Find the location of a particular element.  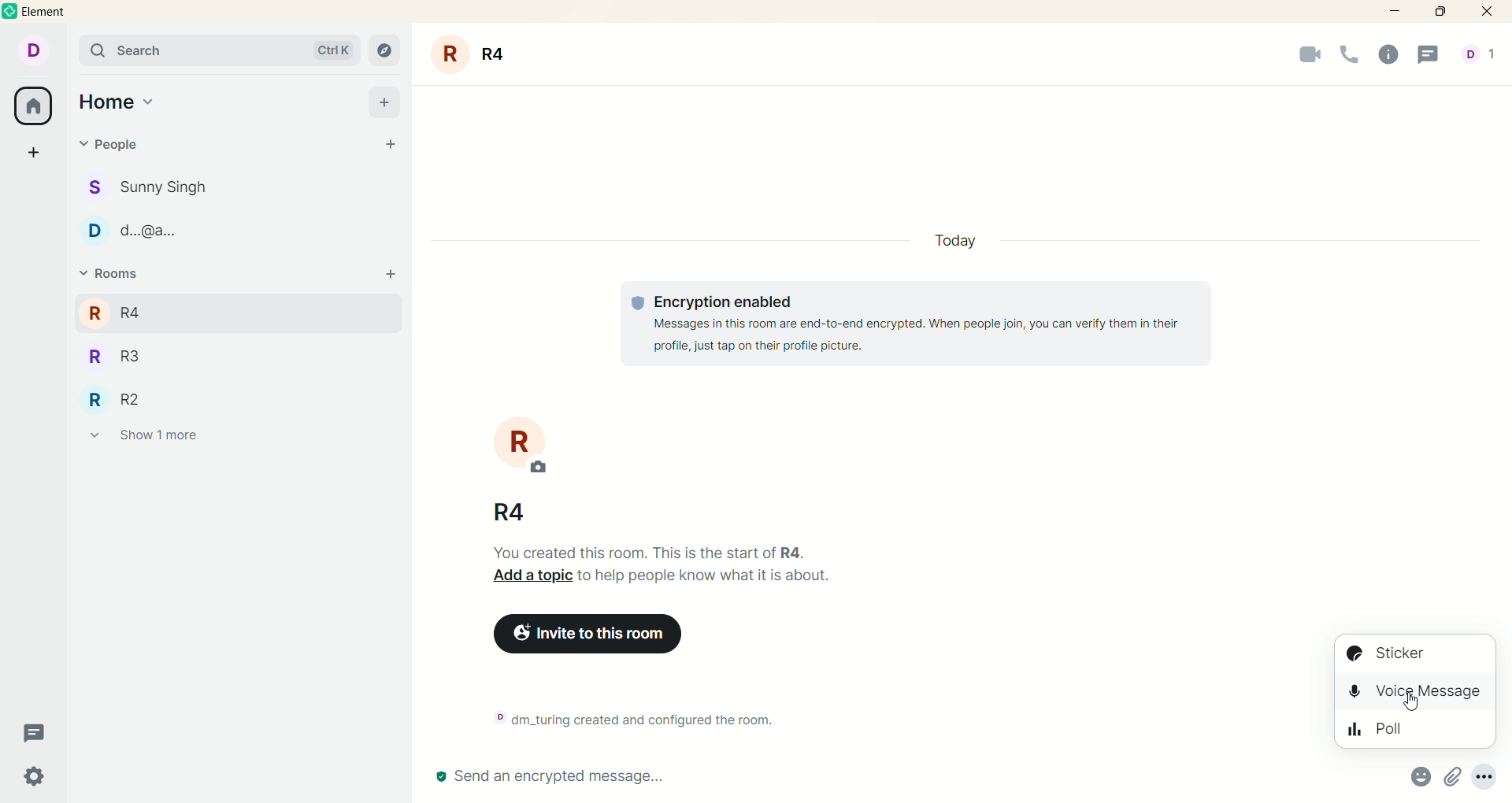

add is located at coordinates (384, 102).